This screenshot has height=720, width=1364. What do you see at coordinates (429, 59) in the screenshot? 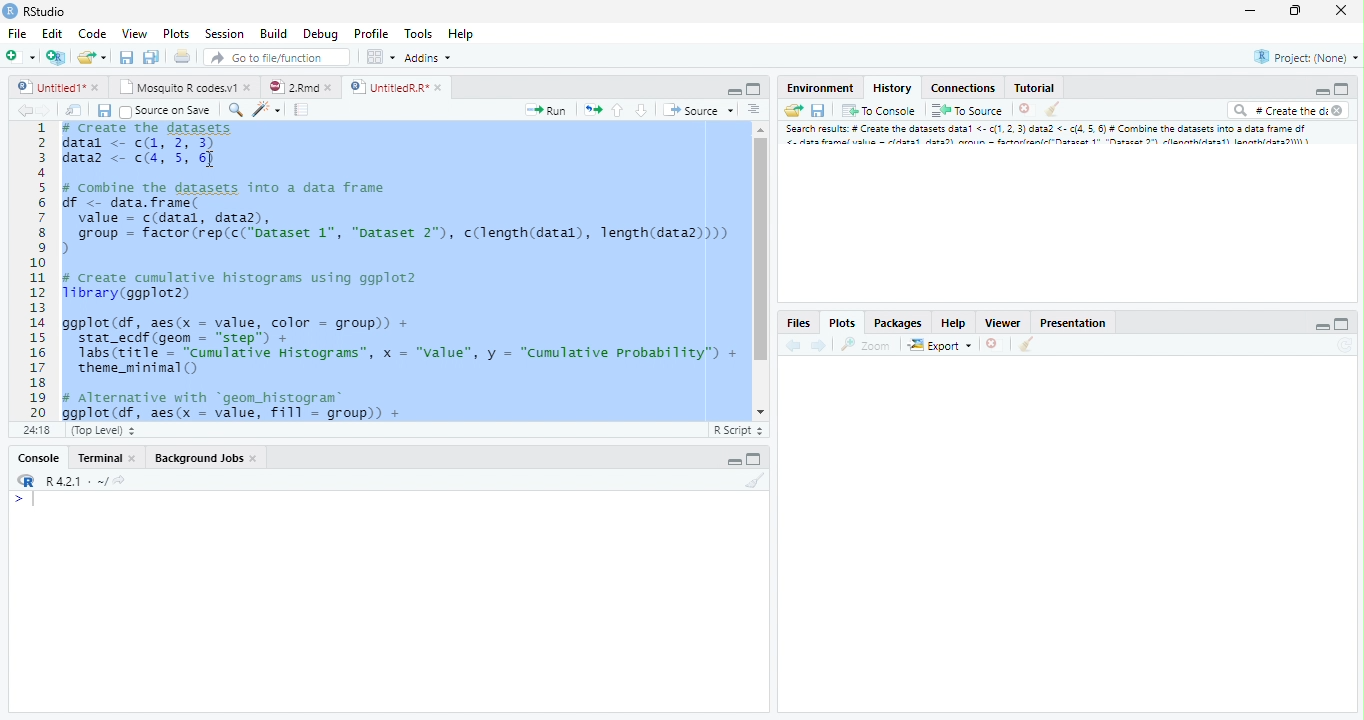
I see `Addins` at bounding box center [429, 59].